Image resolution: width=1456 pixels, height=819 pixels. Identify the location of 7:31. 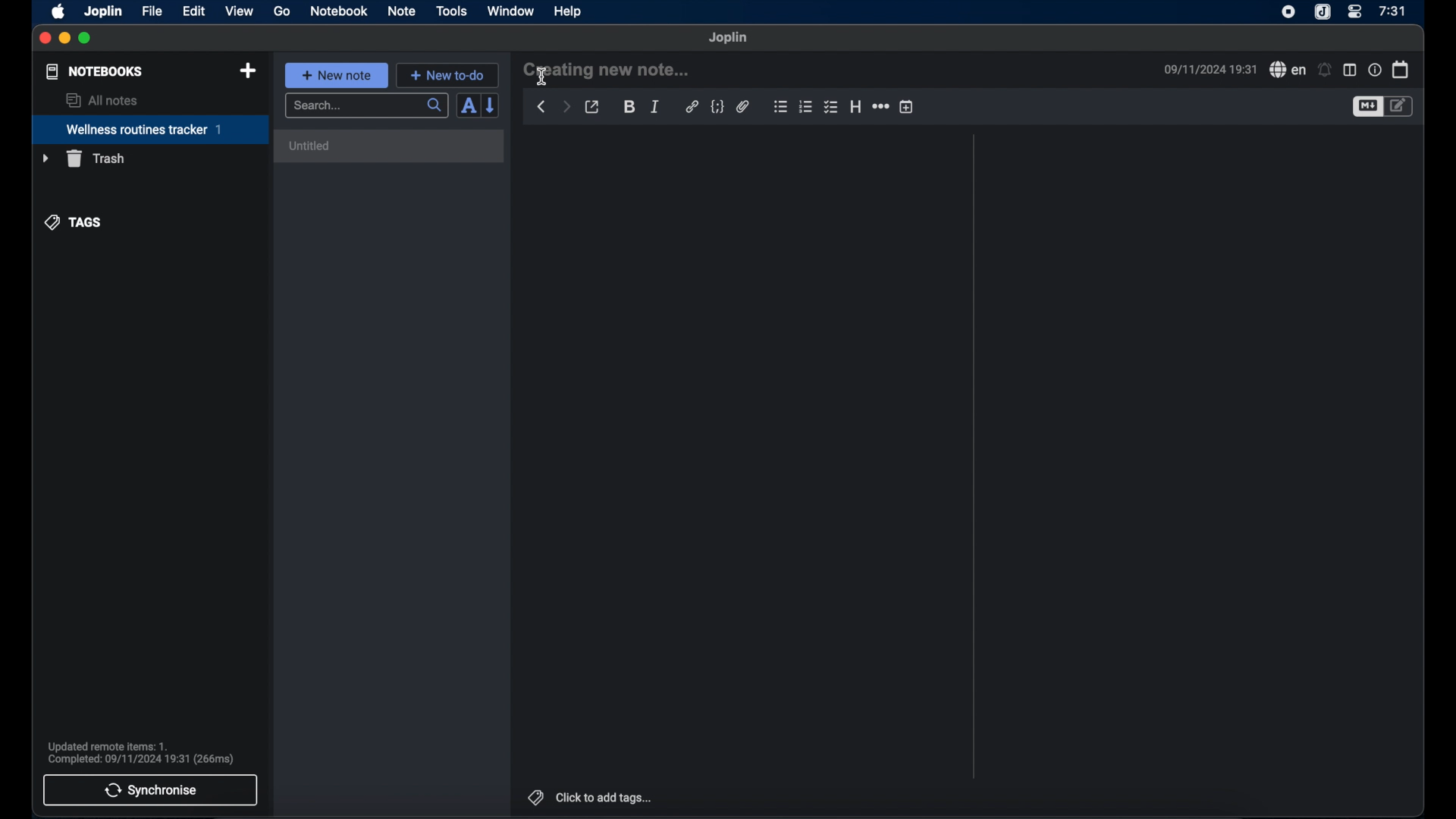
(1392, 11).